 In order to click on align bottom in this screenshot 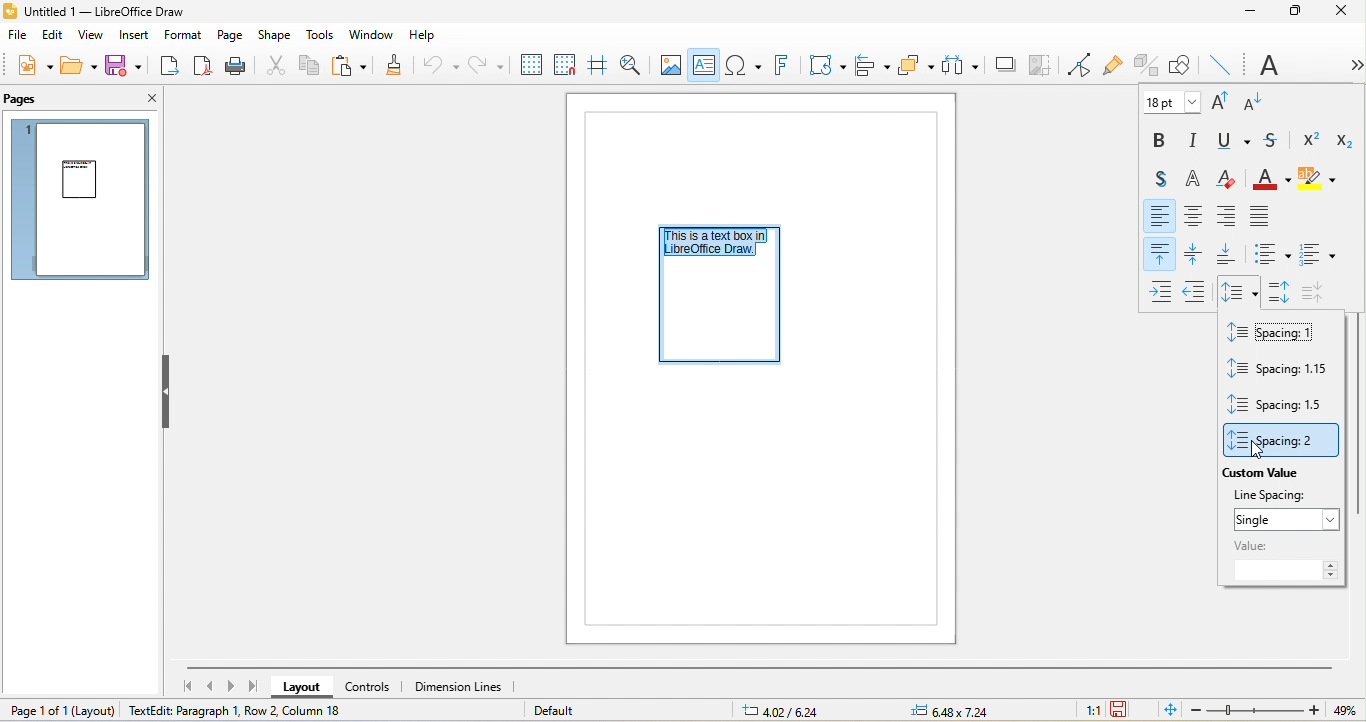, I will do `click(1229, 254)`.